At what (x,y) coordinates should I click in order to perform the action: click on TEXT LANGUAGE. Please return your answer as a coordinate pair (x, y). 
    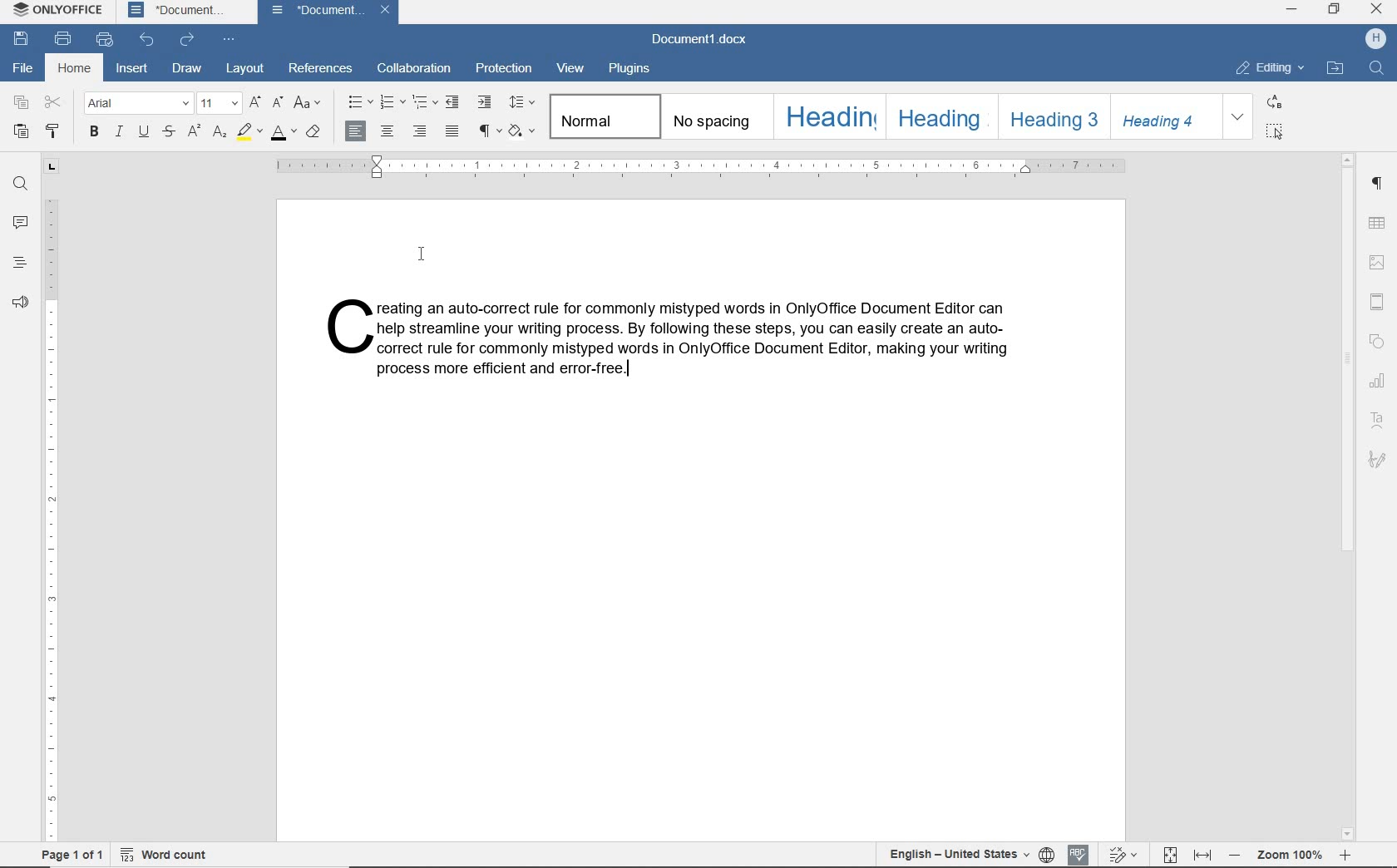
    Looking at the image, I should click on (955, 854).